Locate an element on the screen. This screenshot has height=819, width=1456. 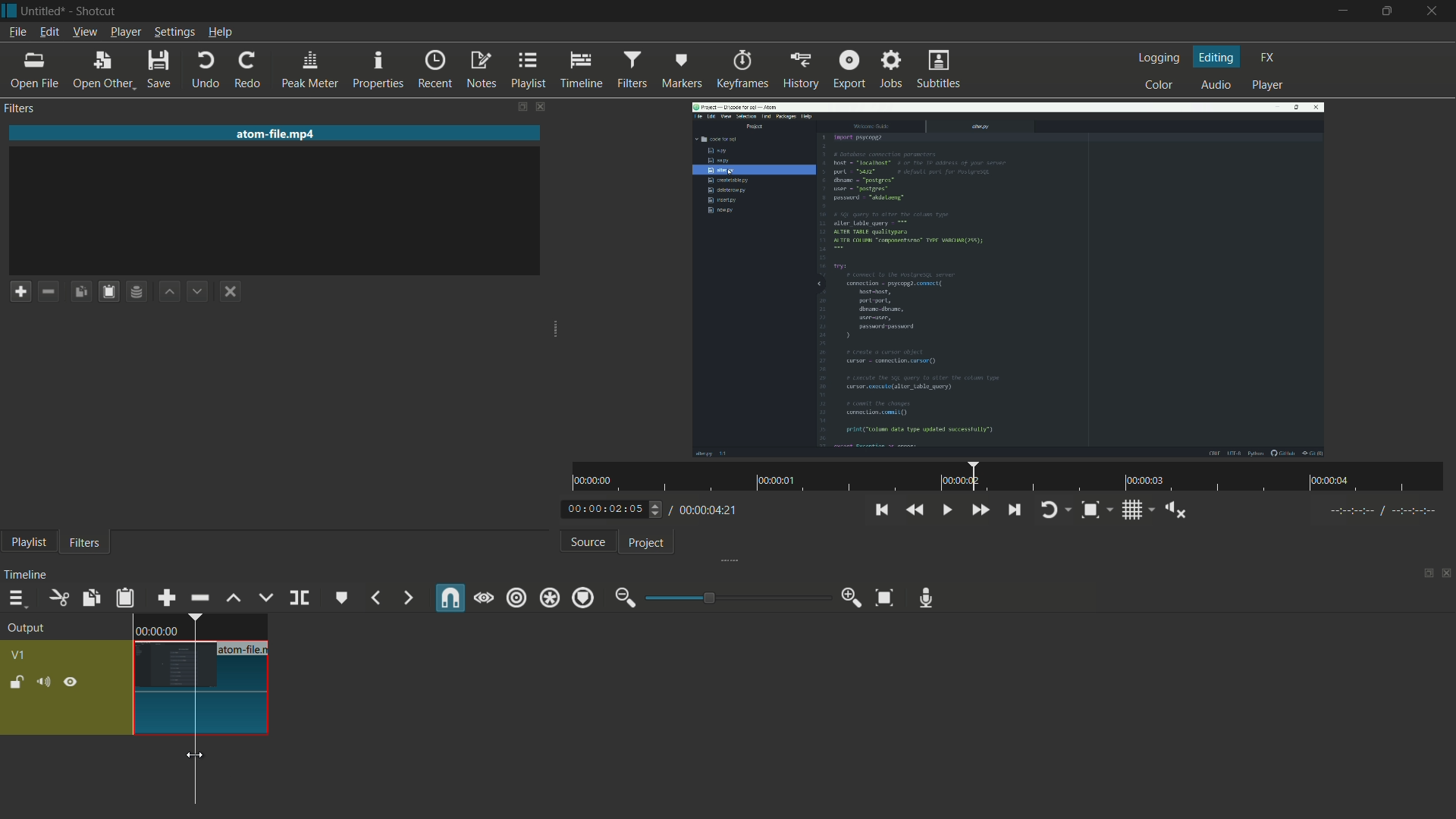
quickly play forward is located at coordinates (979, 510).